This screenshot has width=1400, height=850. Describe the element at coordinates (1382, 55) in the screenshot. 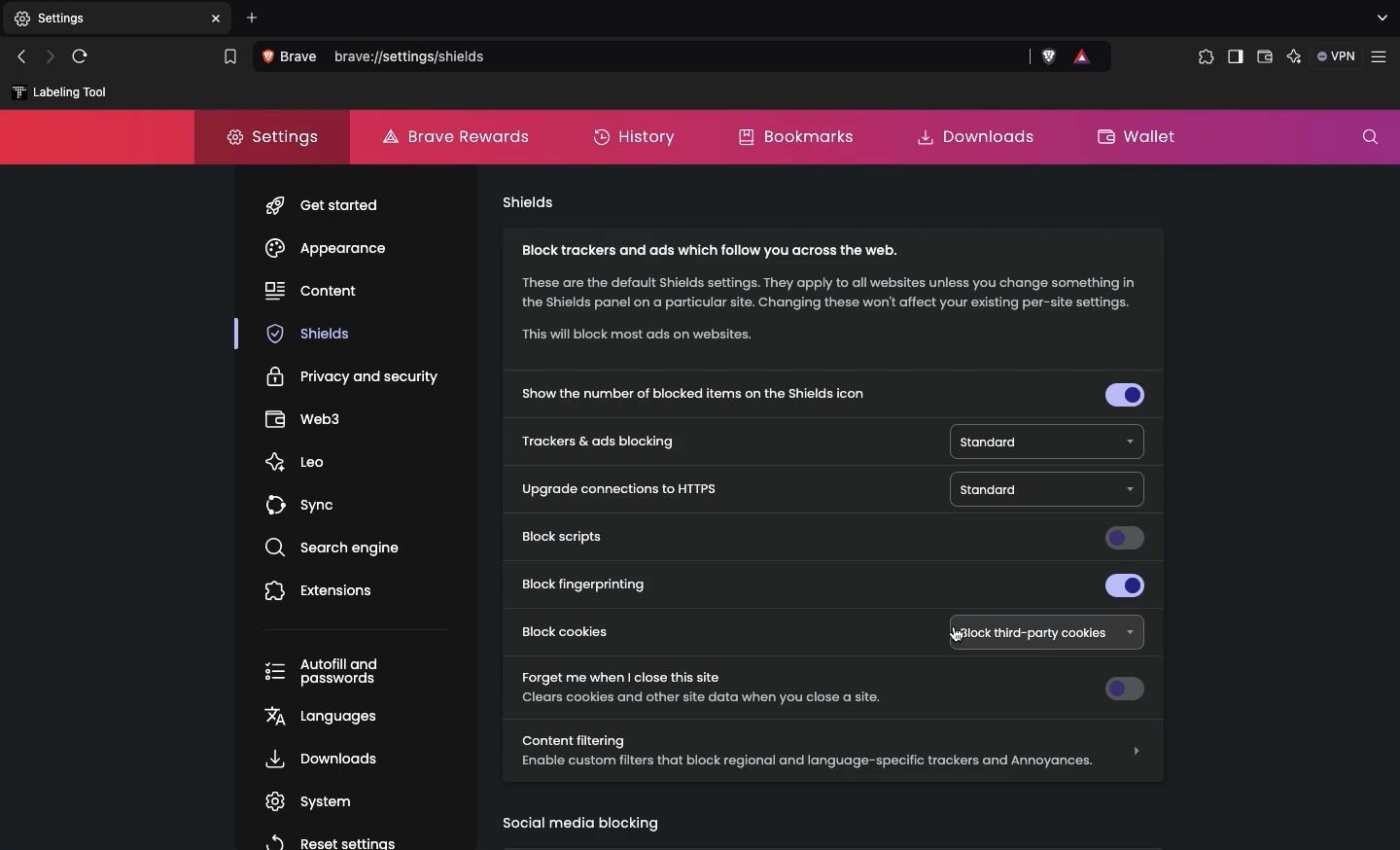

I see `customize and control brave` at that location.